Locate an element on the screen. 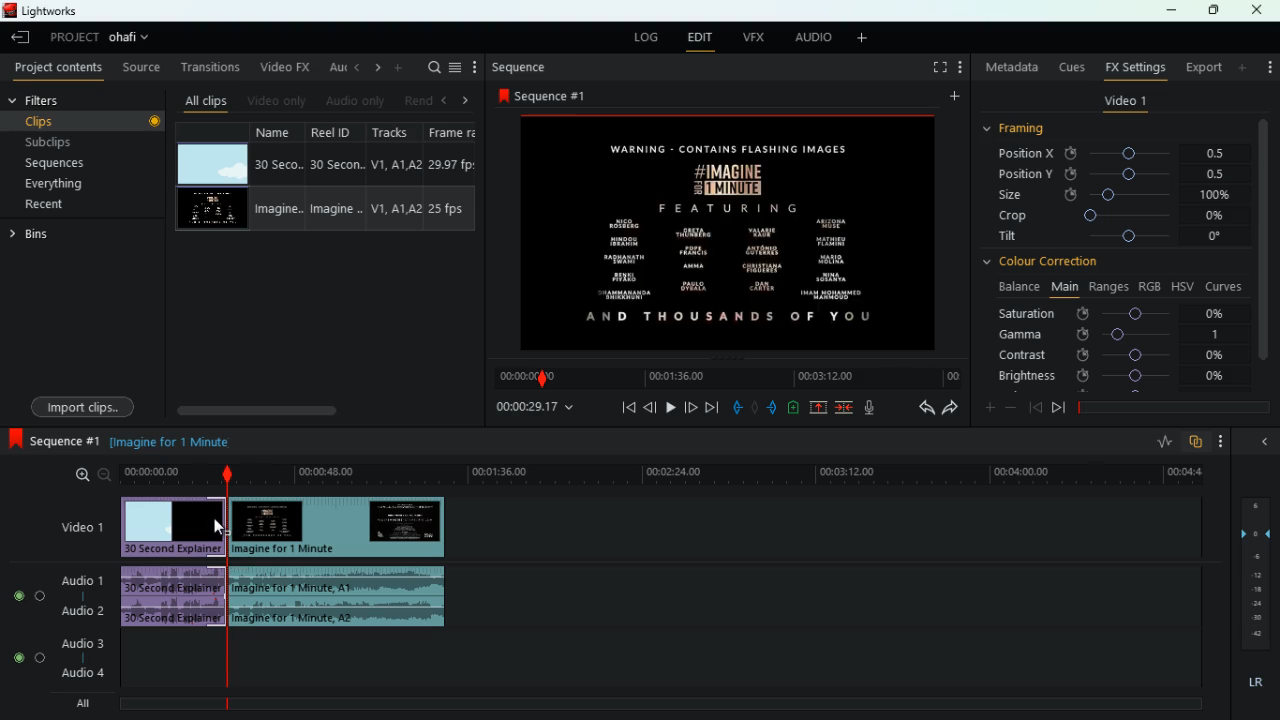 The height and width of the screenshot is (720, 1280). colour correction is located at coordinates (1048, 261).